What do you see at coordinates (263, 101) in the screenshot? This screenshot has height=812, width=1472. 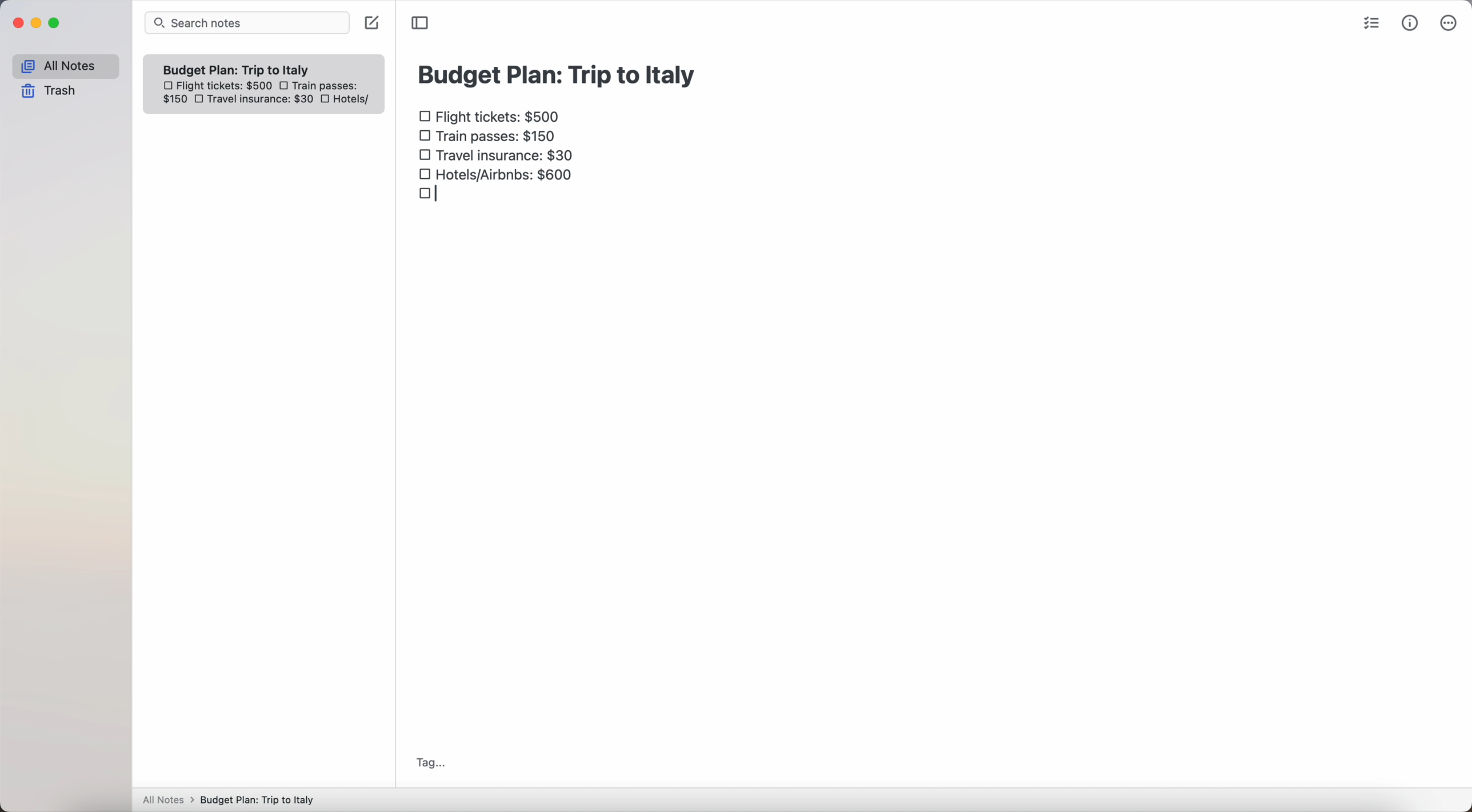 I see `travel insurance: $30` at bounding box center [263, 101].